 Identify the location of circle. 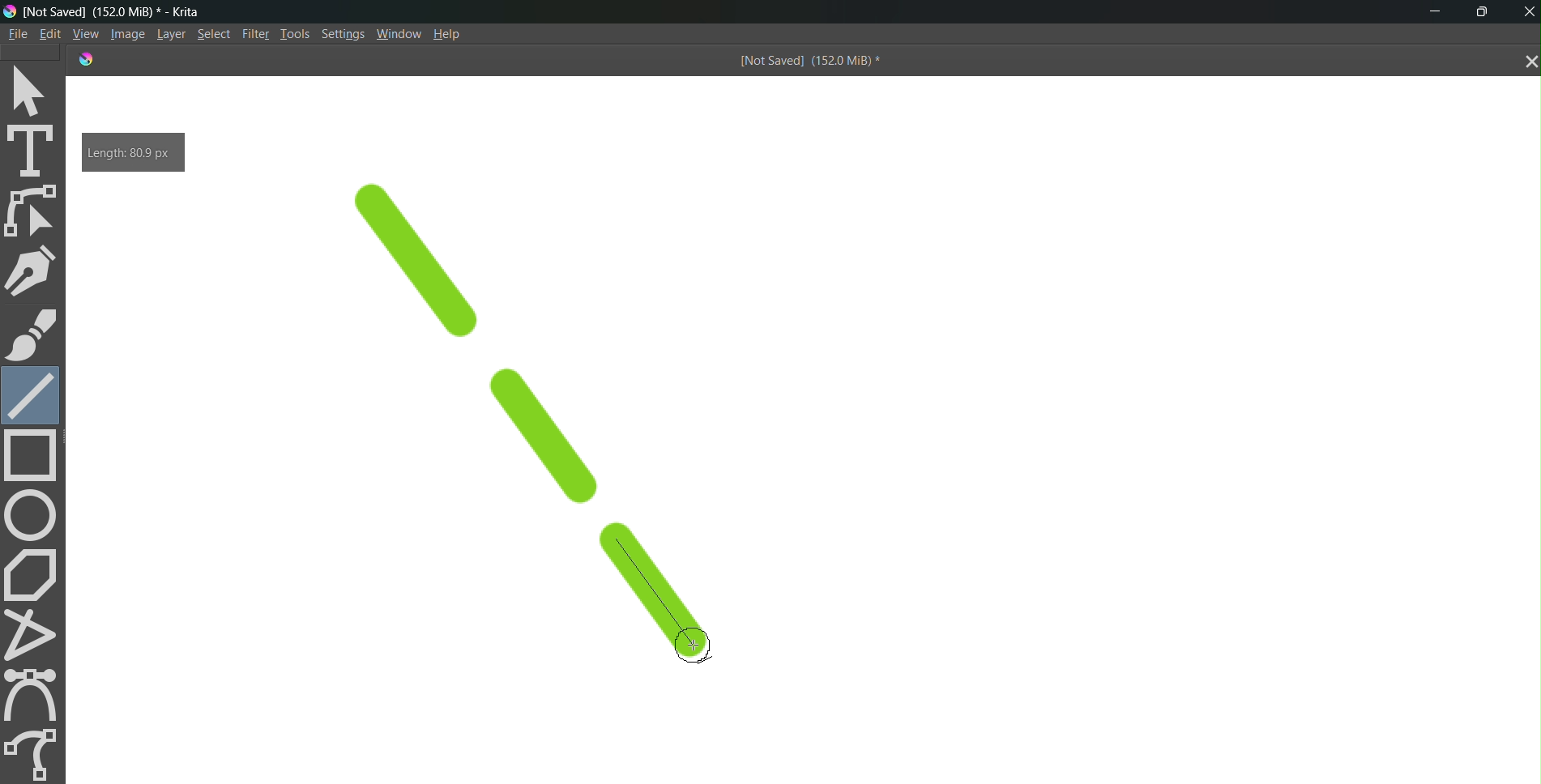
(32, 514).